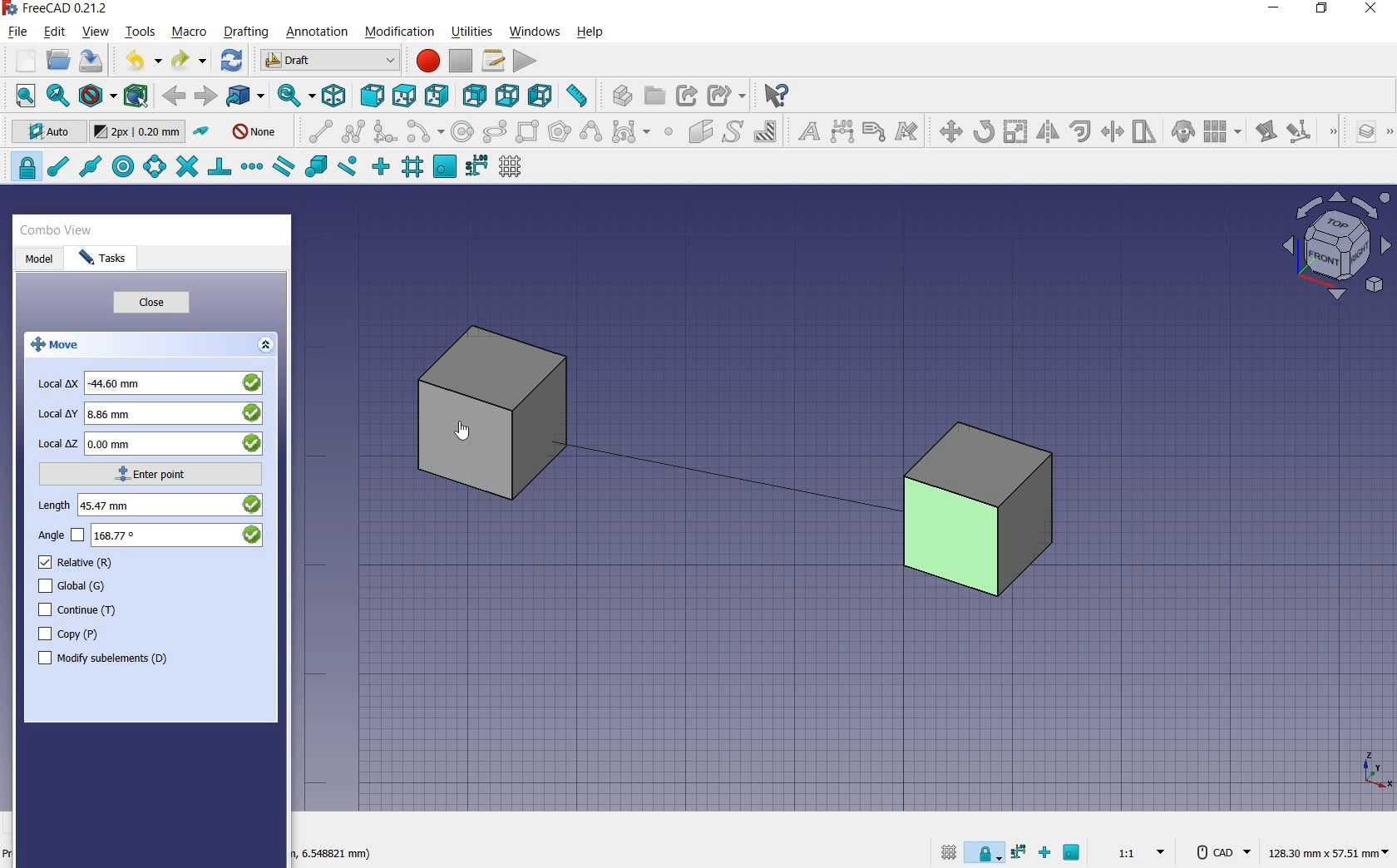 This screenshot has width=1397, height=868. What do you see at coordinates (328, 62) in the screenshot?
I see `switch between workbenches` at bounding box center [328, 62].